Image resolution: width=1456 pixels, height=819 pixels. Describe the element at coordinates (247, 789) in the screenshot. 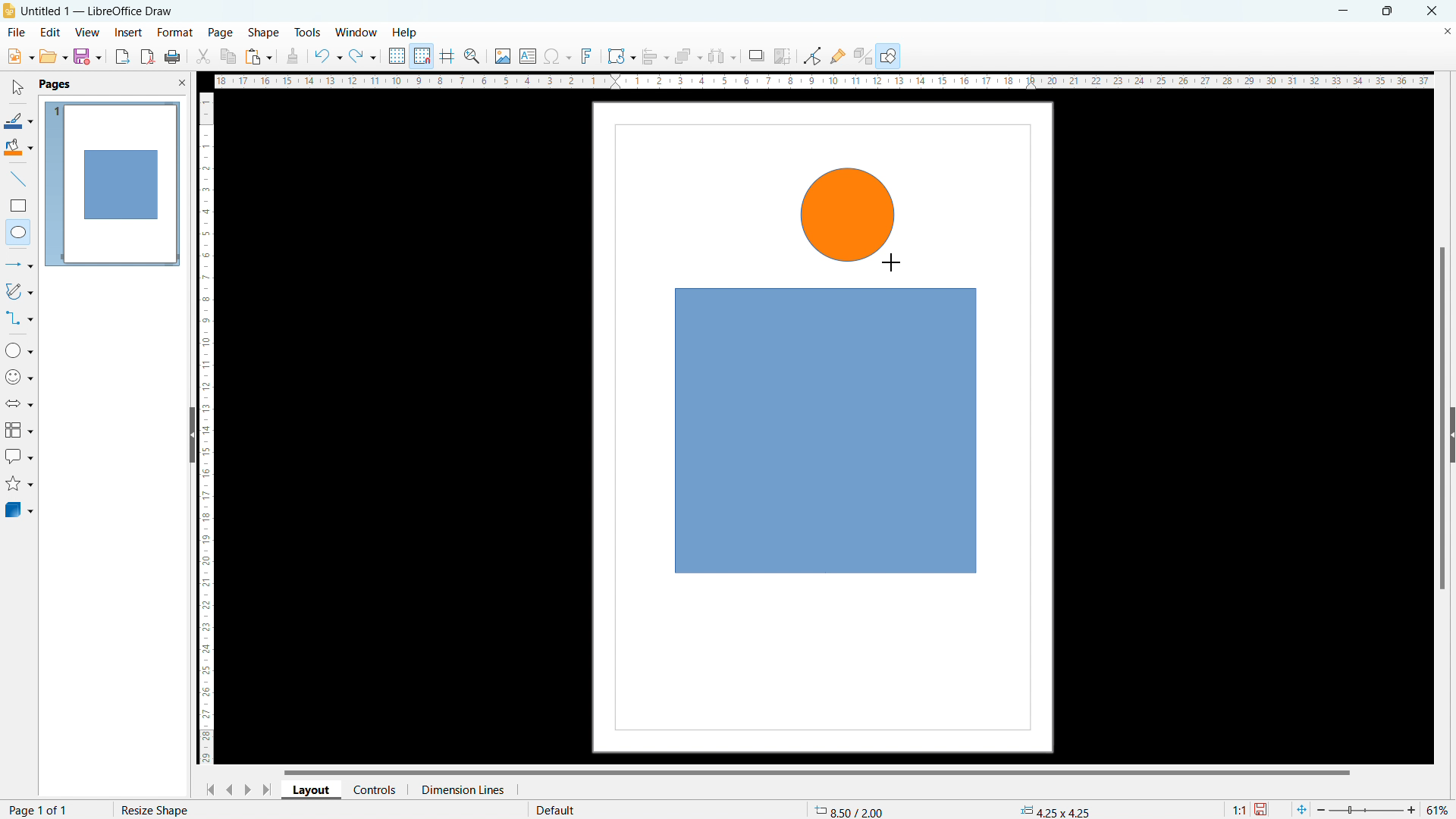

I see `go to next page` at that location.